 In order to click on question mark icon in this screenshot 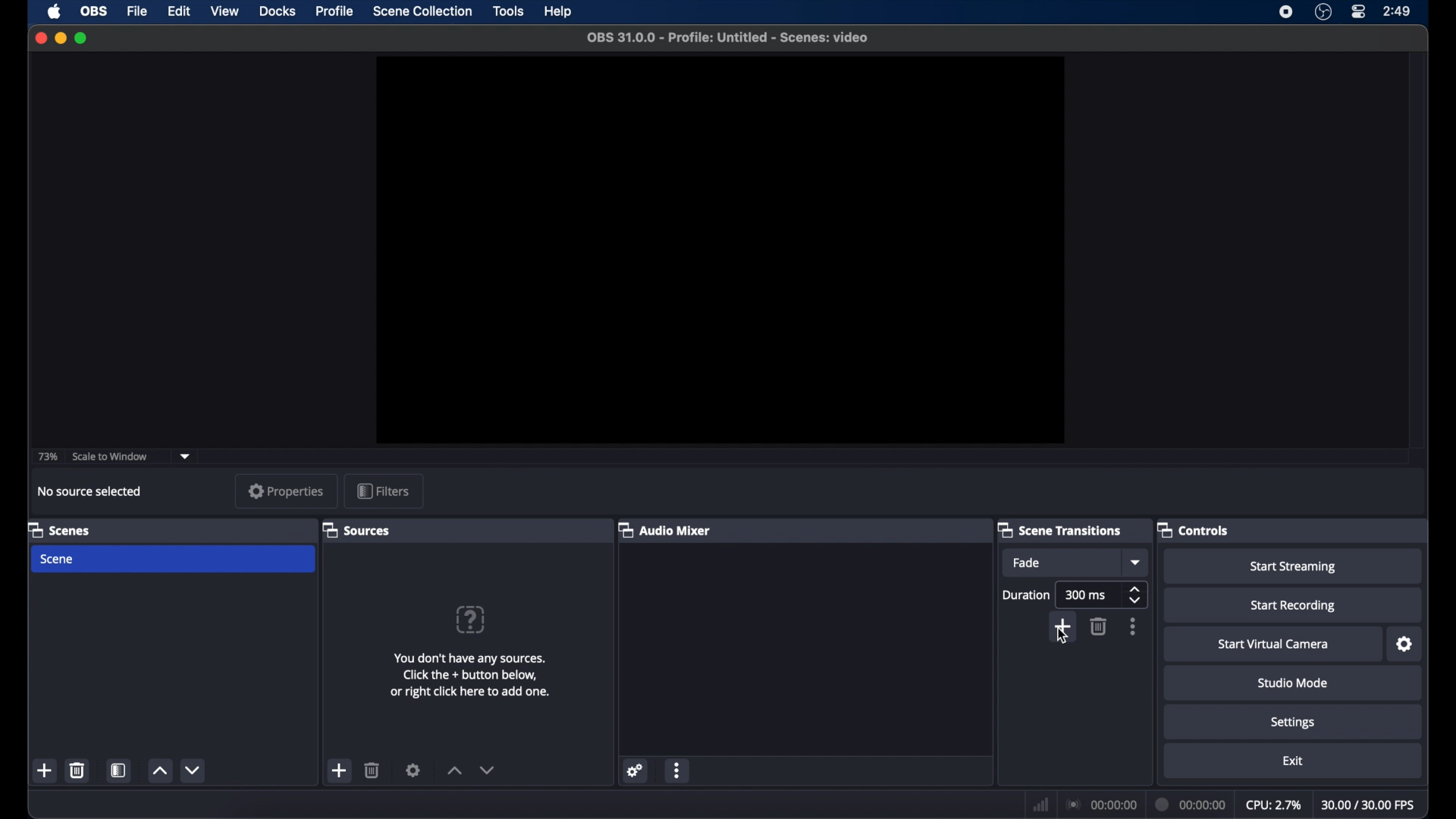, I will do `click(472, 620)`.